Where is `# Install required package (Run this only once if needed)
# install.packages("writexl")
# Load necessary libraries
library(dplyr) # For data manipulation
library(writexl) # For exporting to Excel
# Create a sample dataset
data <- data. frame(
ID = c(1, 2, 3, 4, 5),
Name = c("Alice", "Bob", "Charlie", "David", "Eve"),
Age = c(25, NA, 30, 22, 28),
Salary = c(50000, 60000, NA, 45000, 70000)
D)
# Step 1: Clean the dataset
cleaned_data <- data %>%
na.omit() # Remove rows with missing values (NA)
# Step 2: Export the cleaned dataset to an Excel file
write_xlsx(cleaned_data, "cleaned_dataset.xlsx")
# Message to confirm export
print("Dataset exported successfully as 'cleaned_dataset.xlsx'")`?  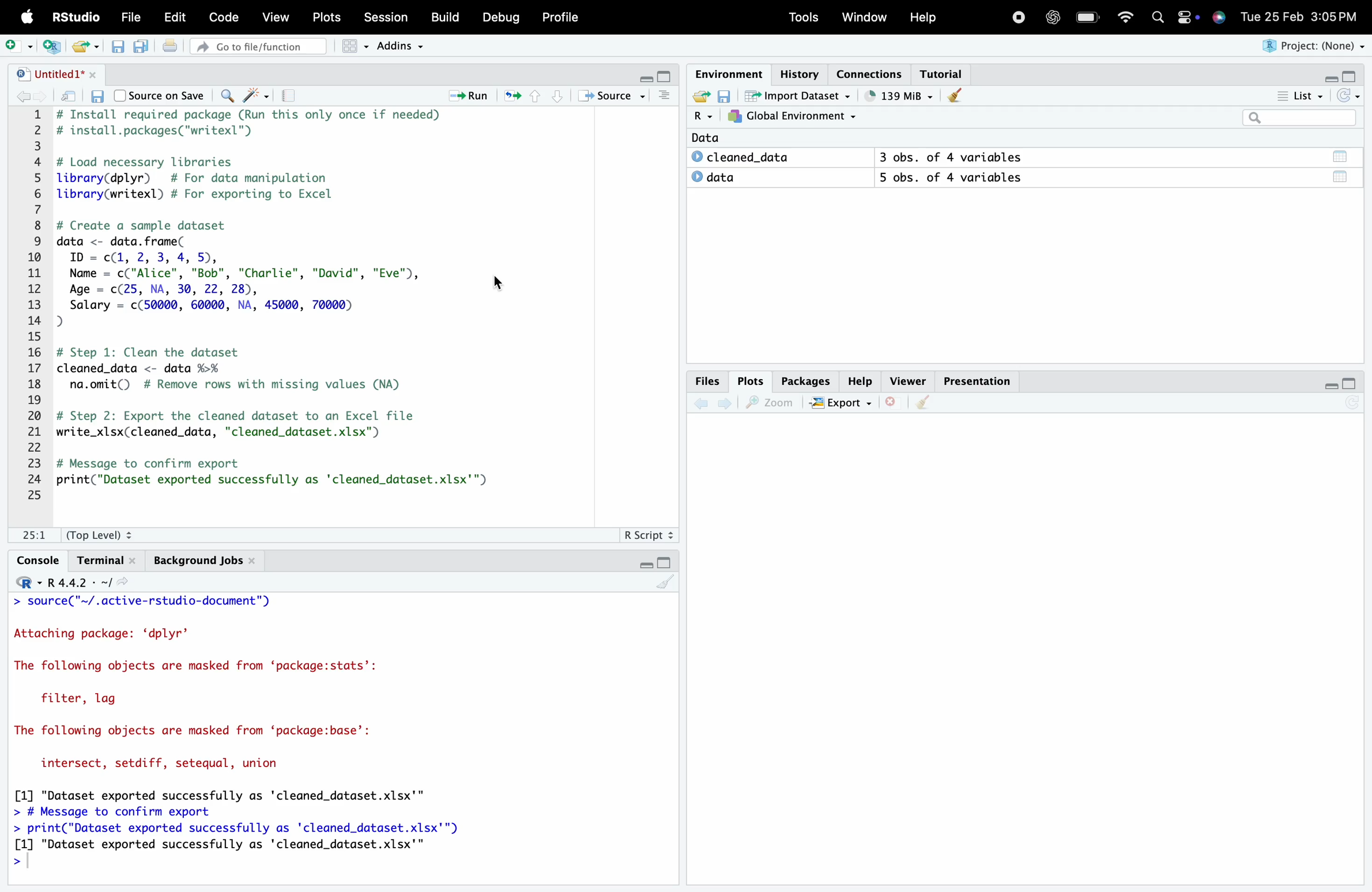 # Install required package (Run this only once if needed)
# install.packages("writexl")
# Load necessary libraries
library(dplyr) # For data manipulation
library(writexl) # For exporting to Excel
# Create a sample dataset
data <- data. frame(
ID = c(1, 2, 3, 4, 5),
Name = c("Alice", "Bob", "Charlie", "David", "Eve"),
Age = c(25, NA, 30, 22, 28),
Salary = c(50000, 60000, NA, 45000, 70000)
D)
# Step 1: Clean the dataset
cleaned_data <- data %>%
na.omit() # Remove rows with missing values (NA)
# Step 2: Export the cleaned dataset to an Excel file
write_xlsx(cleaned_data, "cleaned_dataset.xlsx")
# Message to confirm export
print("Dataset exported successfully as 'cleaned_dataset.xlsx'") is located at coordinates (280, 307).